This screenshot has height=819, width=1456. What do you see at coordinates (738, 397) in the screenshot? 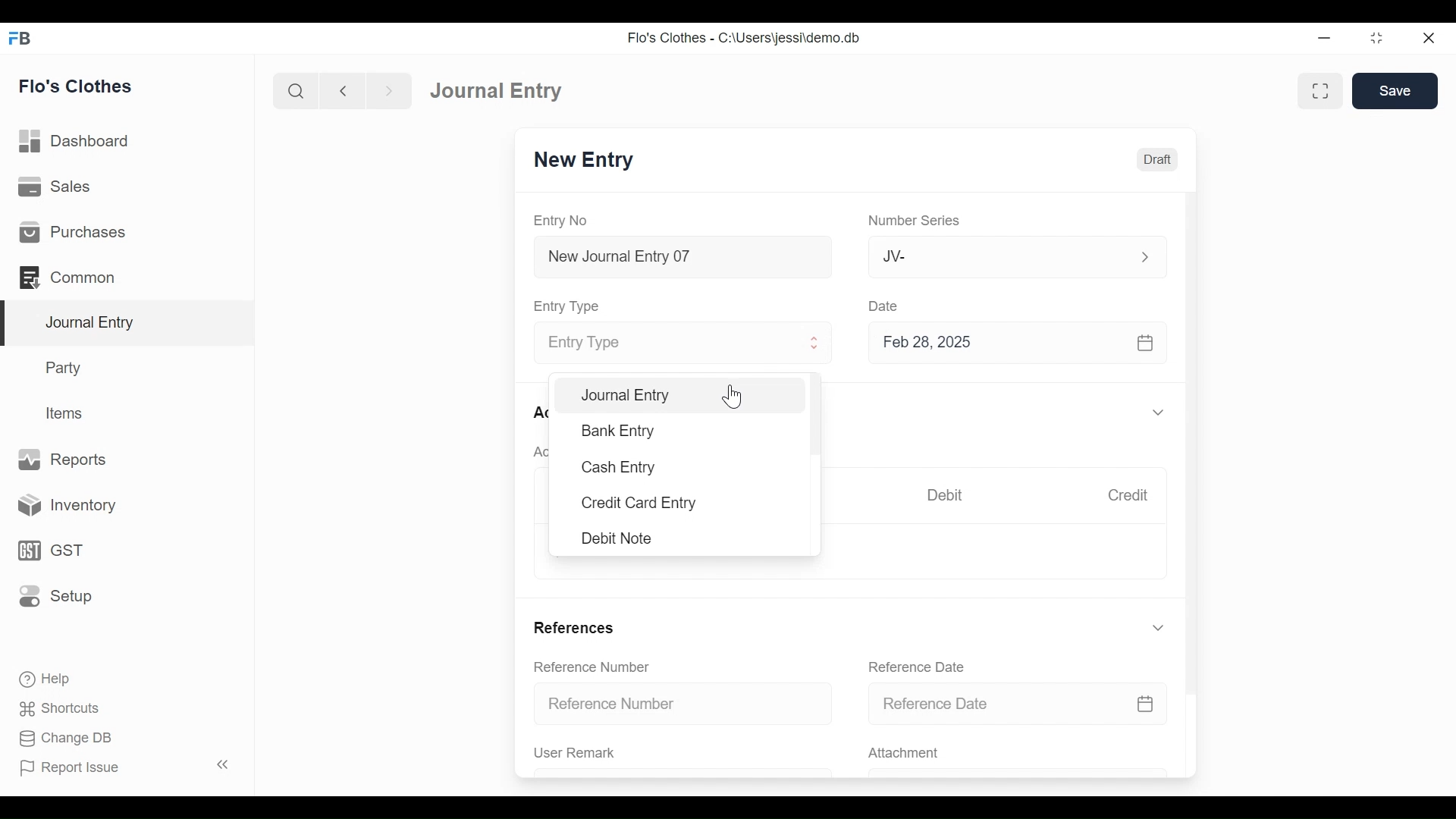
I see `Cursor` at bounding box center [738, 397].